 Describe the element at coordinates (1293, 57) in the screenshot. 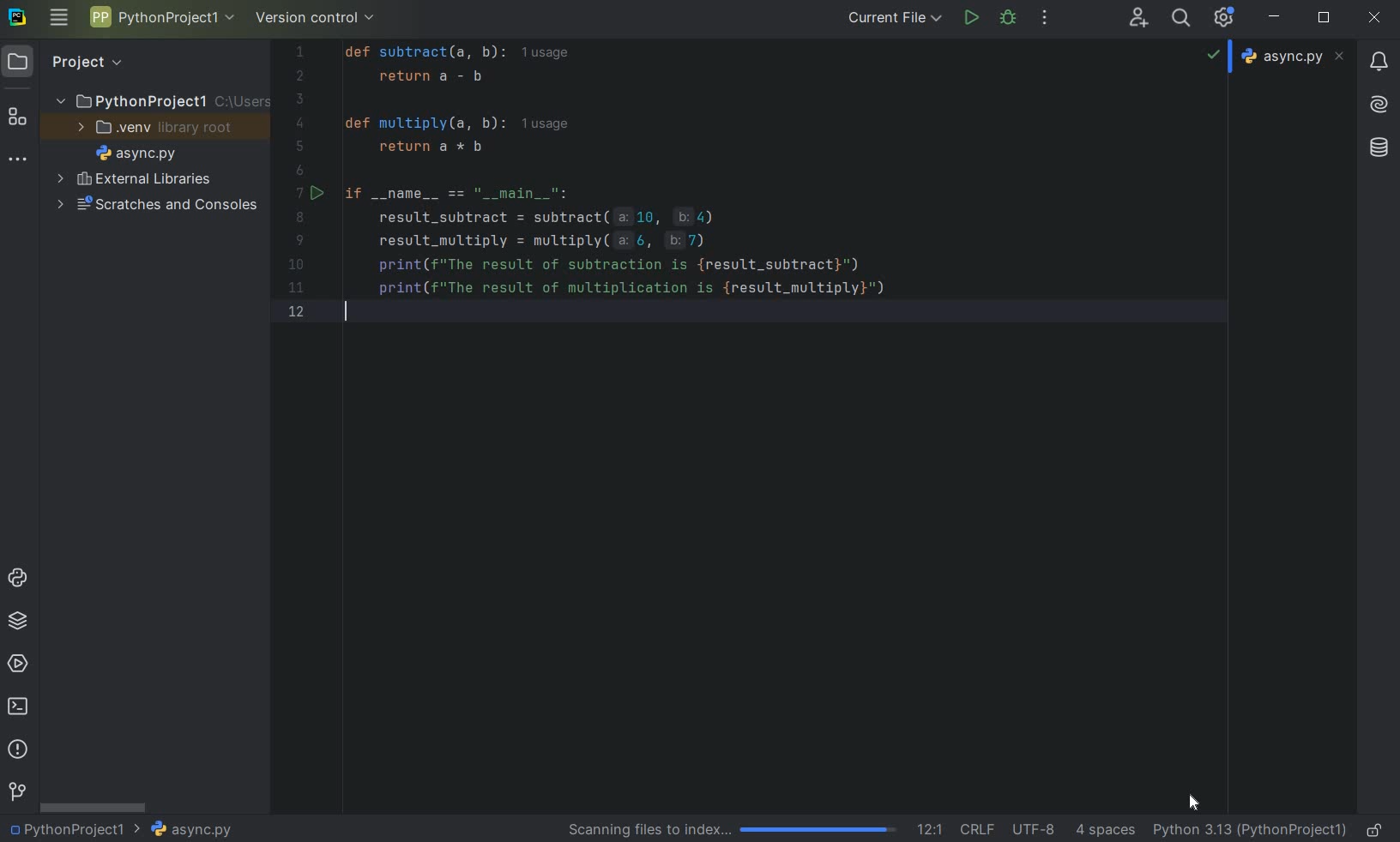

I see `file name` at that location.